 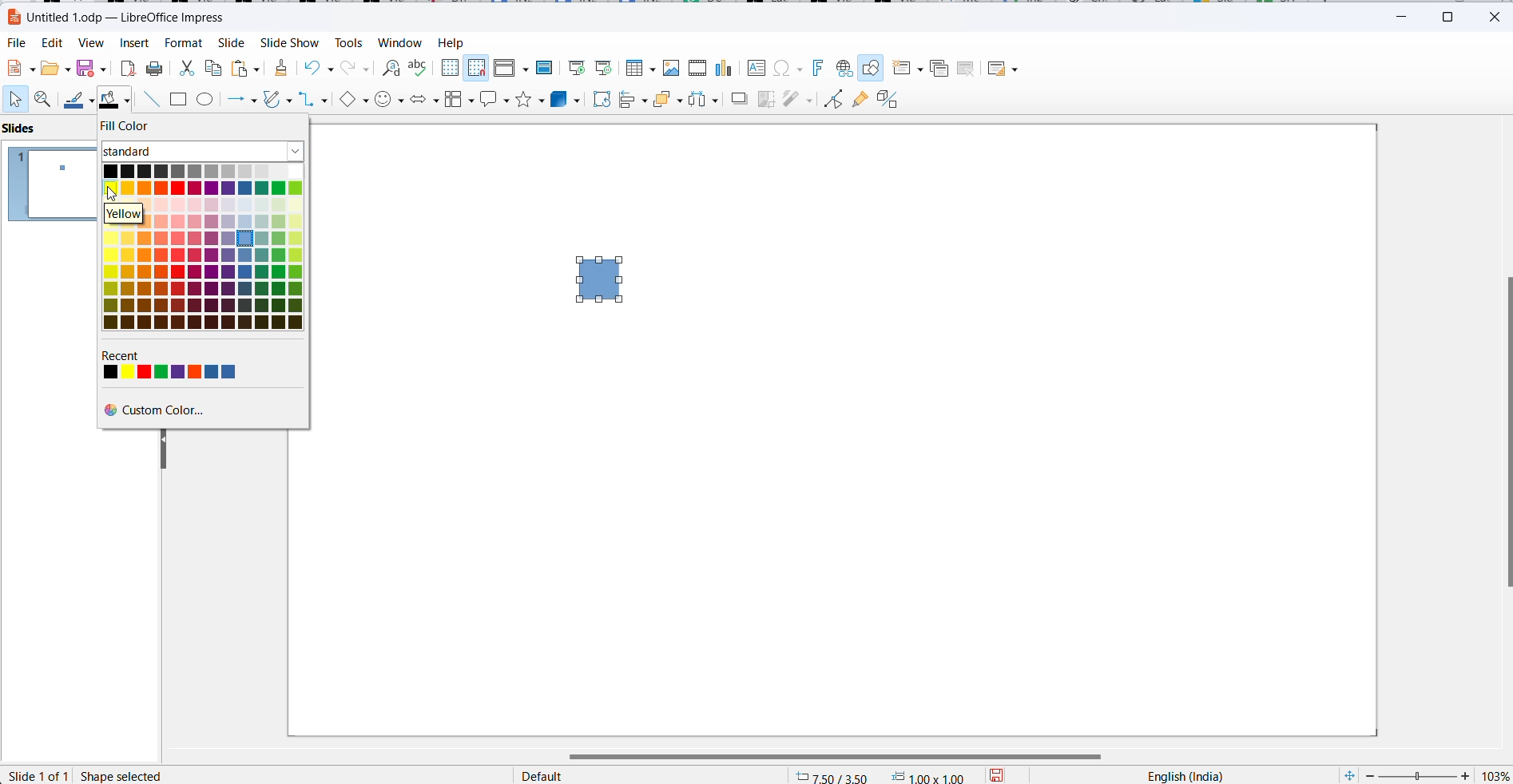 I want to click on color options, so click(x=206, y=247).